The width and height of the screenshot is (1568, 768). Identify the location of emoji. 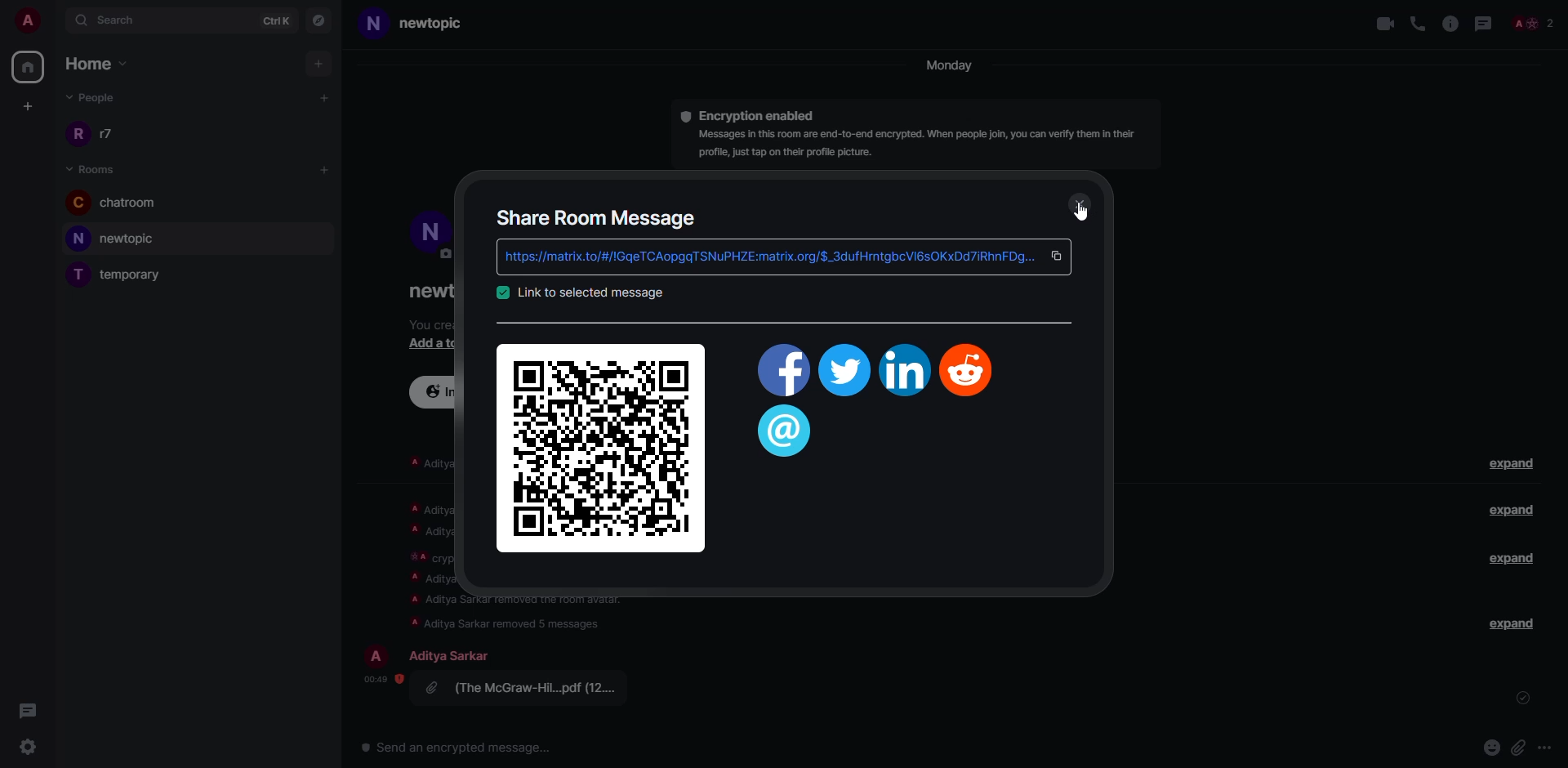
(1492, 746).